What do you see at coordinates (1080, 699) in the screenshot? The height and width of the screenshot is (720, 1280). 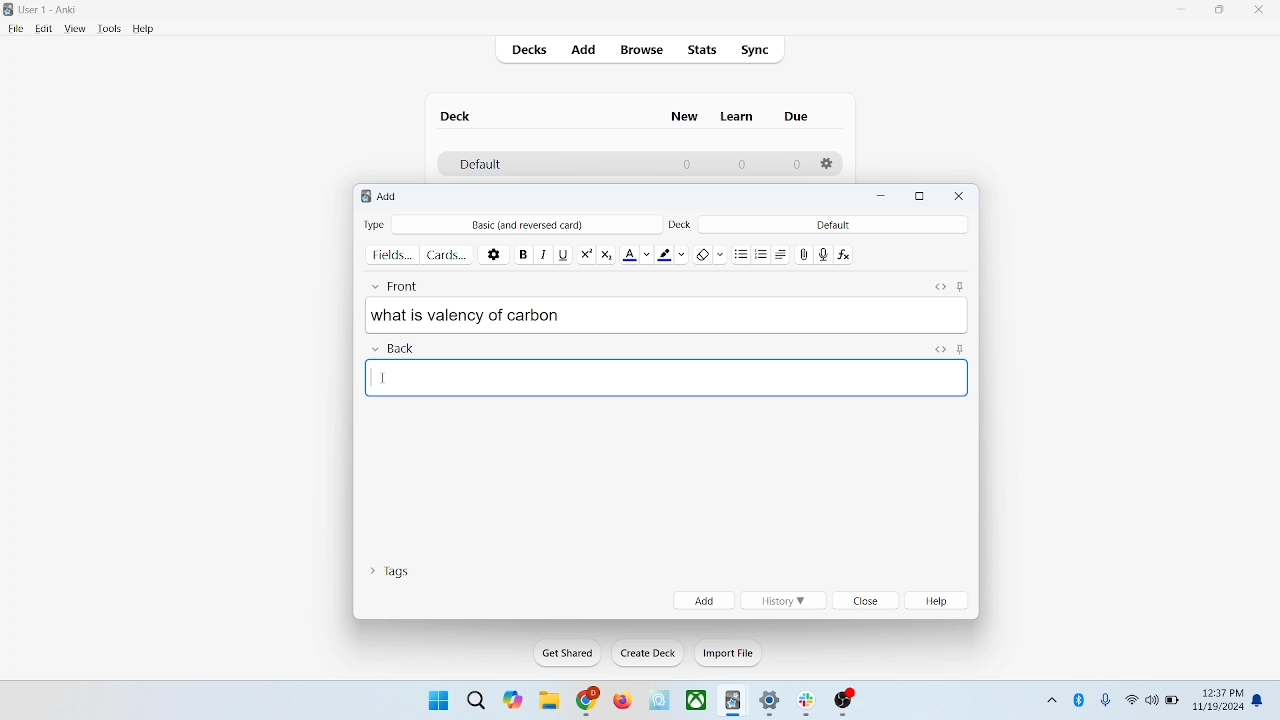 I see `bluetooth` at bounding box center [1080, 699].